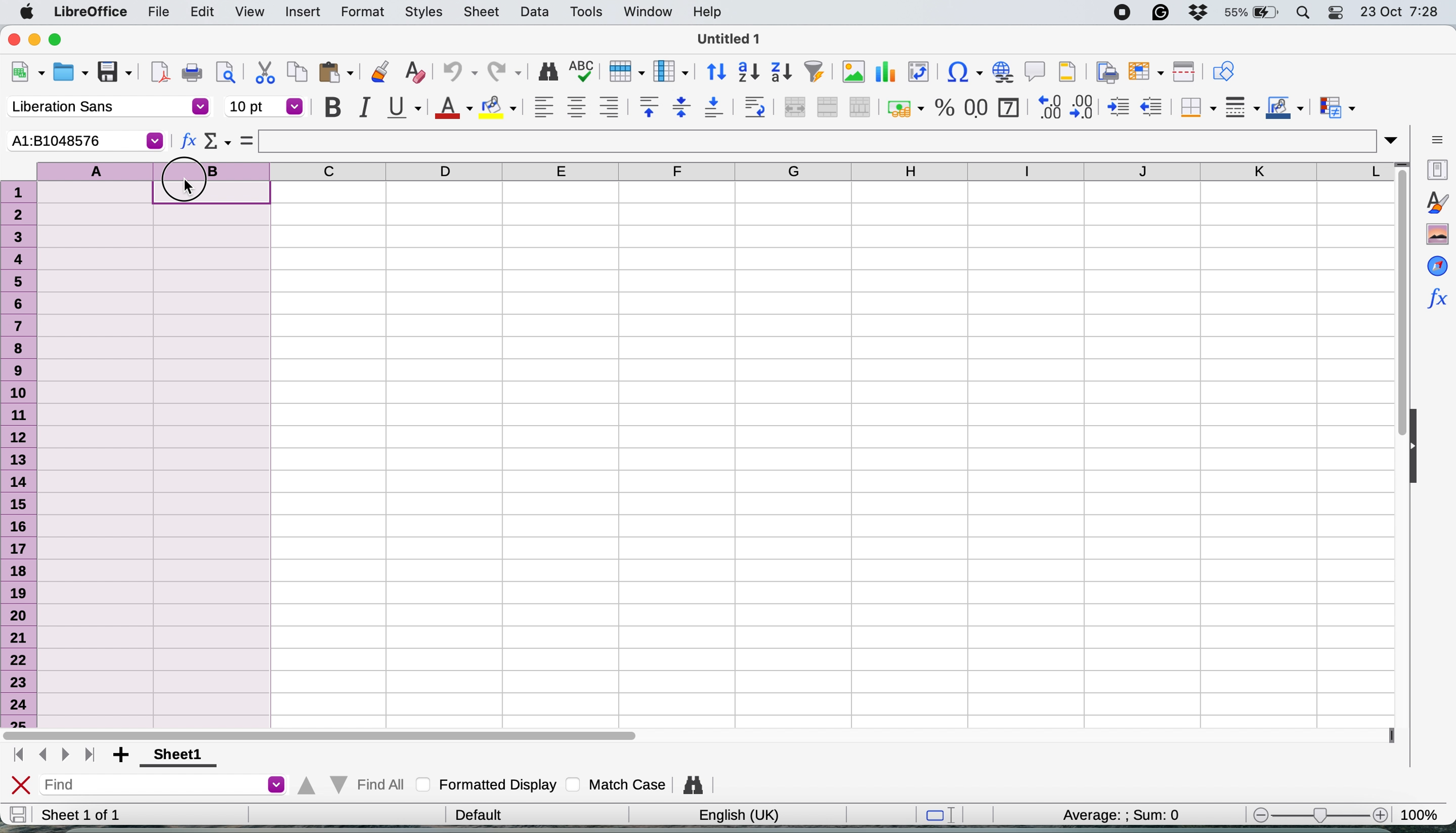 This screenshot has height=833, width=1456. I want to click on insert, so click(300, 12).